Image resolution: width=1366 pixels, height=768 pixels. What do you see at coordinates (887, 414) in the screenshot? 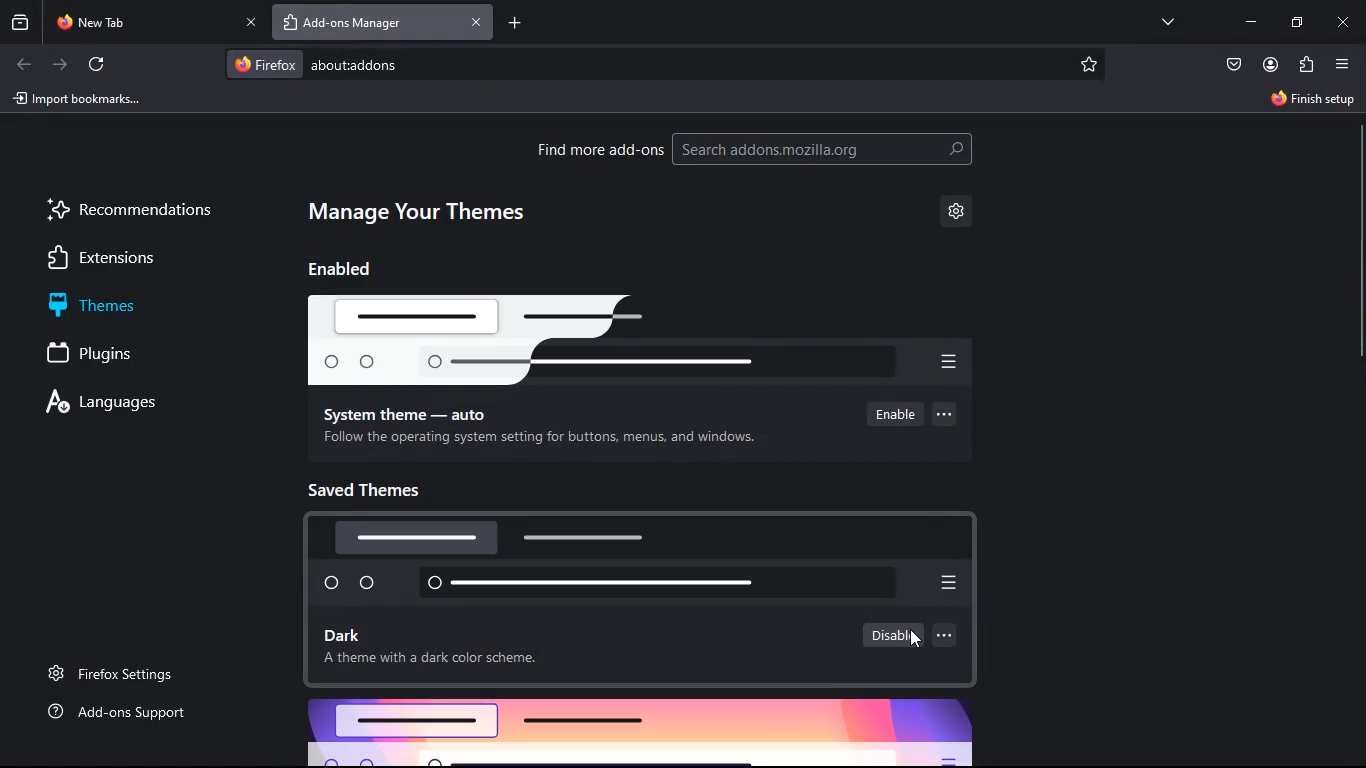
I see `enable` at bounding box center [887, 414].